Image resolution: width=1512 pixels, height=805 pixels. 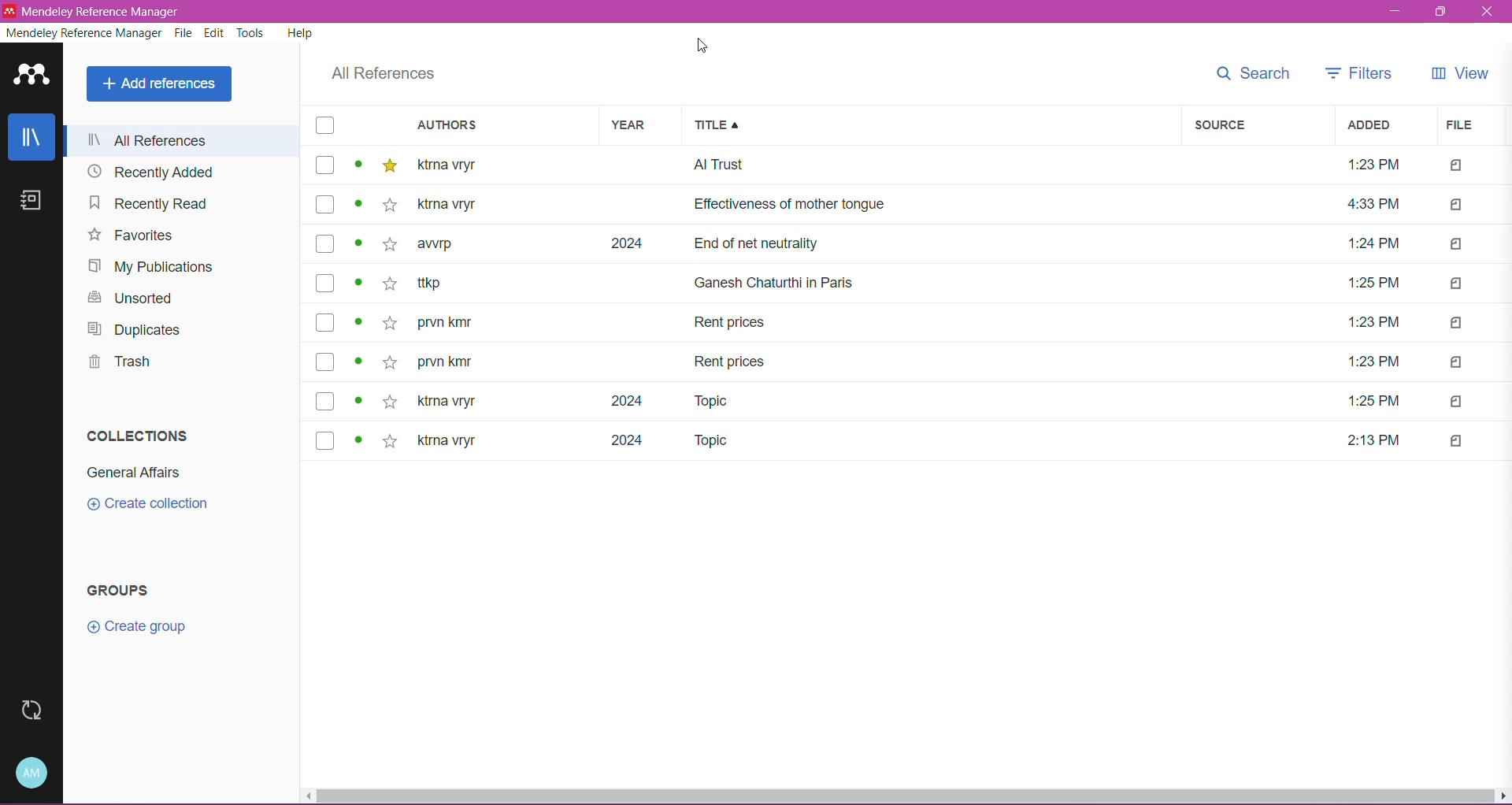 What do you see at coordinates (910, 364) in the screenshot?
I see `prvn kmr Rent prices 1:23 PM` at bounding box center [910, 364].